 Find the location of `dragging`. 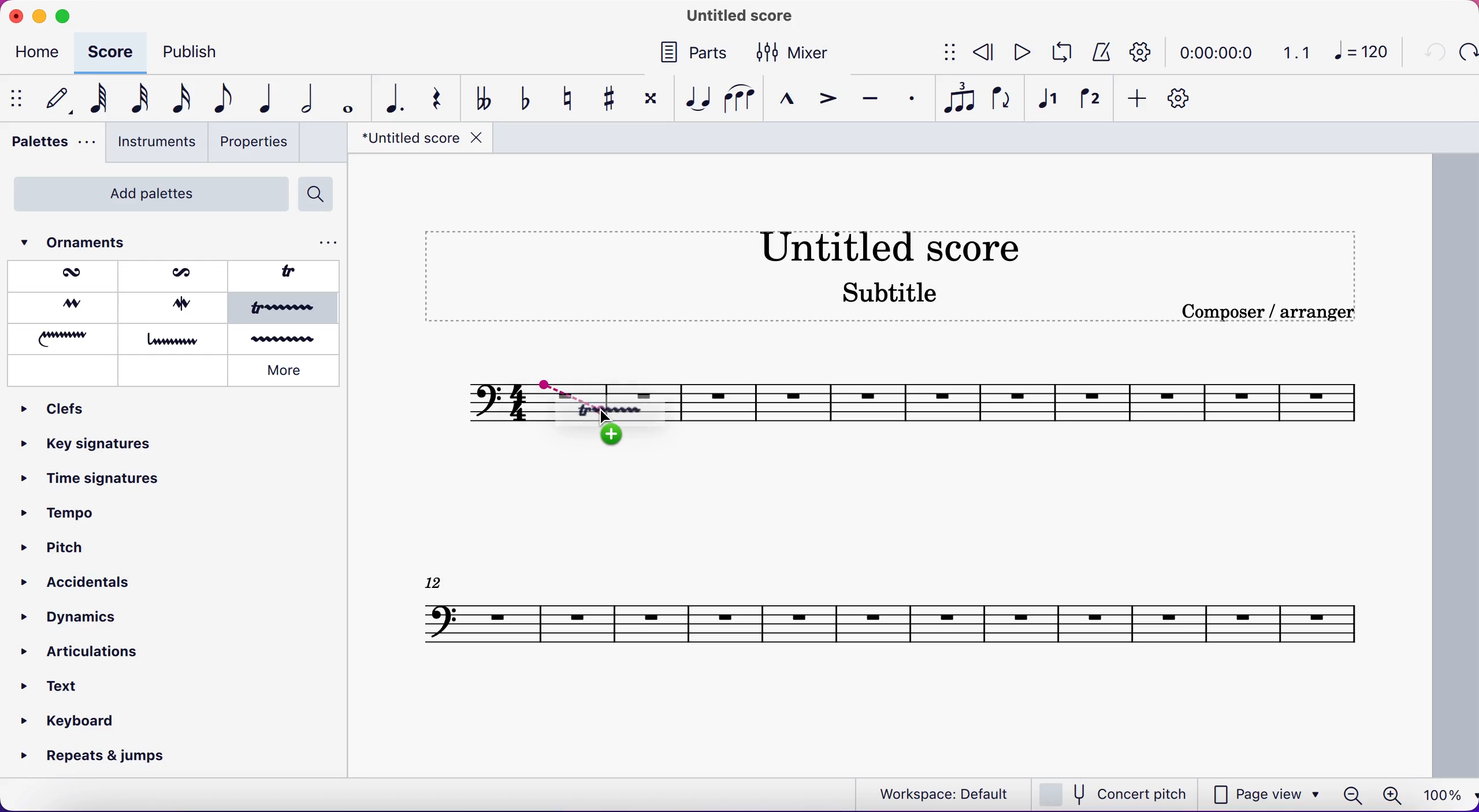

dragging is located at coordinates (556, 385).